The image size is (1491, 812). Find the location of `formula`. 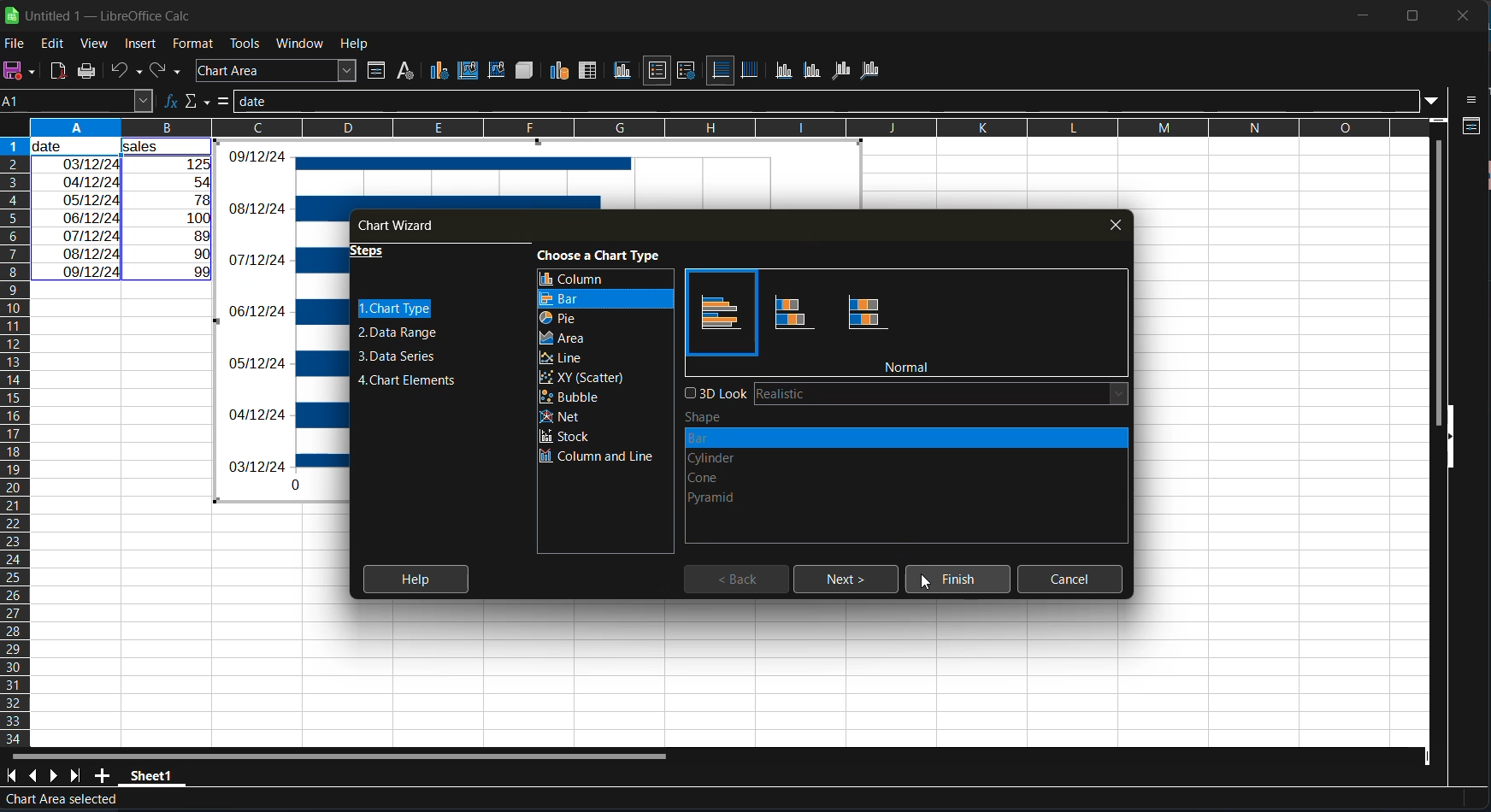

formula is located at coordinates (222, 102).